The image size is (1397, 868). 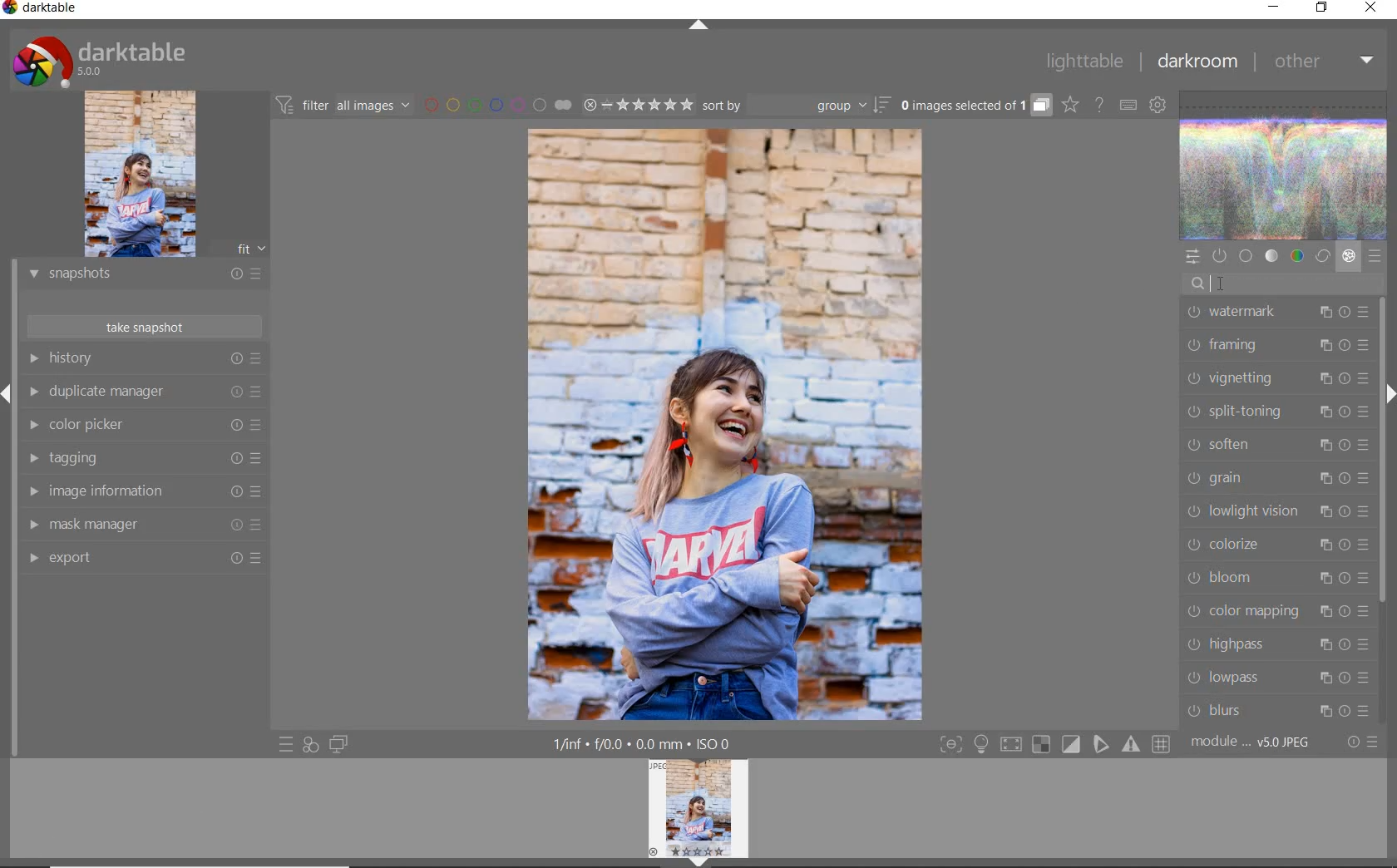 I want to click on correct, so click(x=1322, y=257).